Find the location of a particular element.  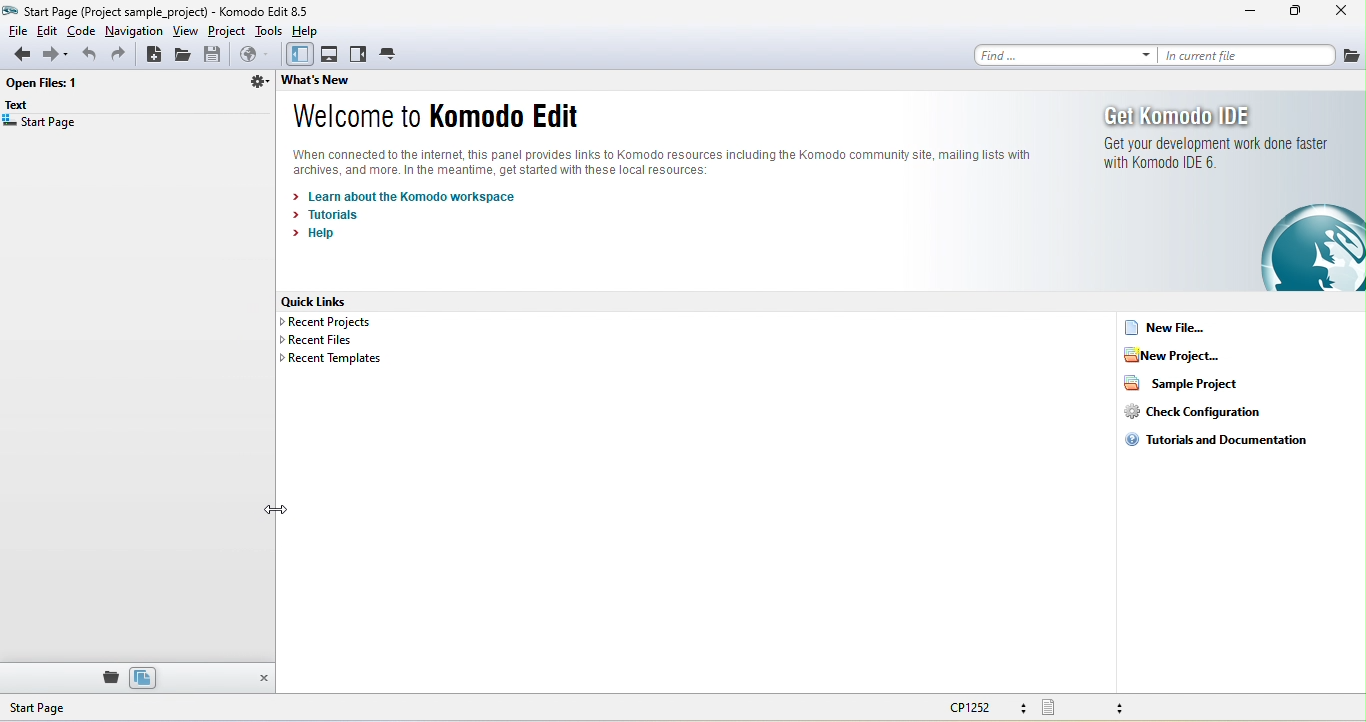

place is located at coordinates (107, 677).